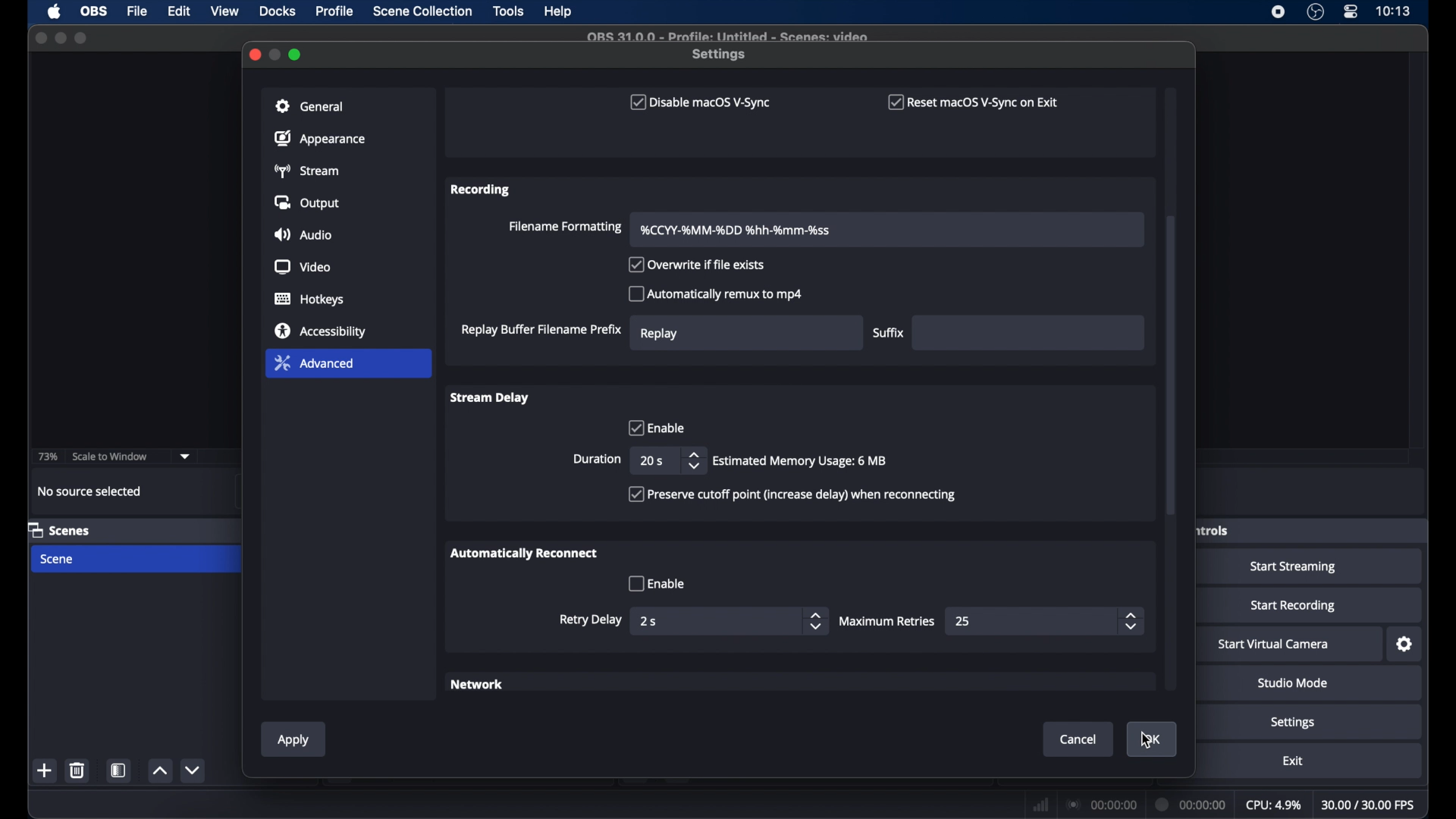 Image resolution: width=1456 pixels, height=819 pixels. What do you see at coordinates (591, 620) in the screenshot?
I see `retry delay` at bounding box center [591, 620].